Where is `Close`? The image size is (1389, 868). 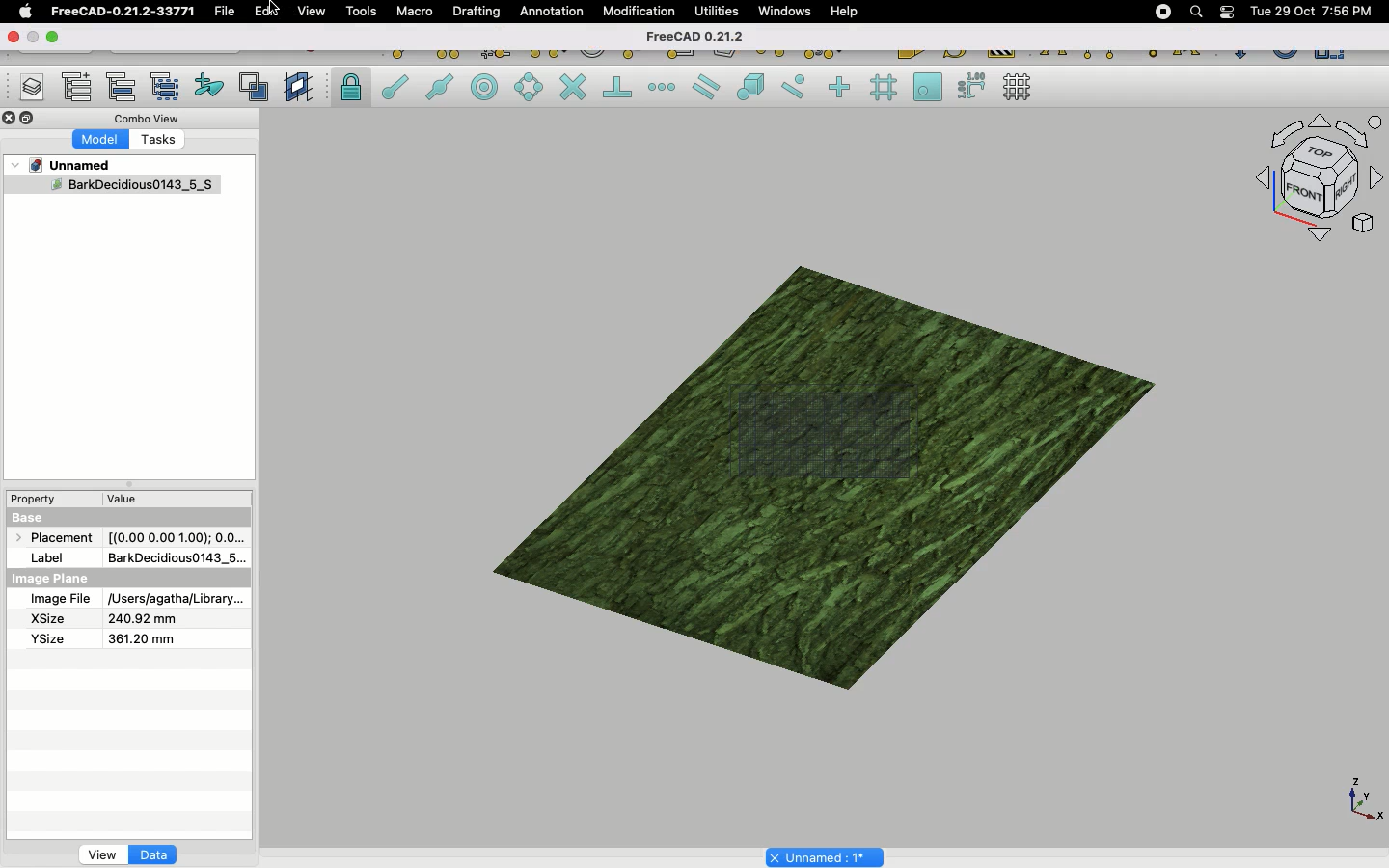
Close is located at coordinates (10, 120).